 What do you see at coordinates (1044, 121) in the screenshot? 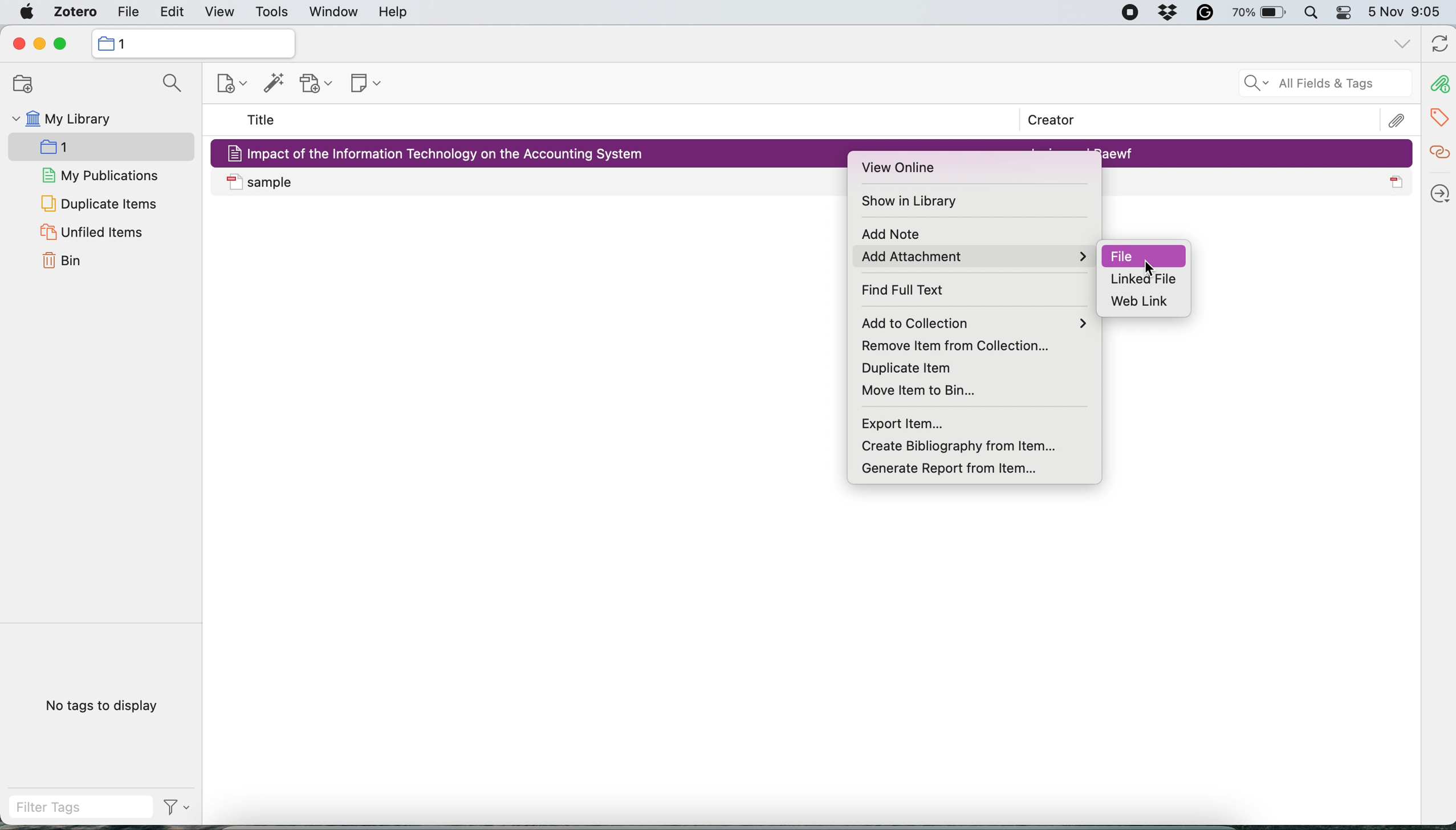
I see `creator` at bounding box center [1044, 121].